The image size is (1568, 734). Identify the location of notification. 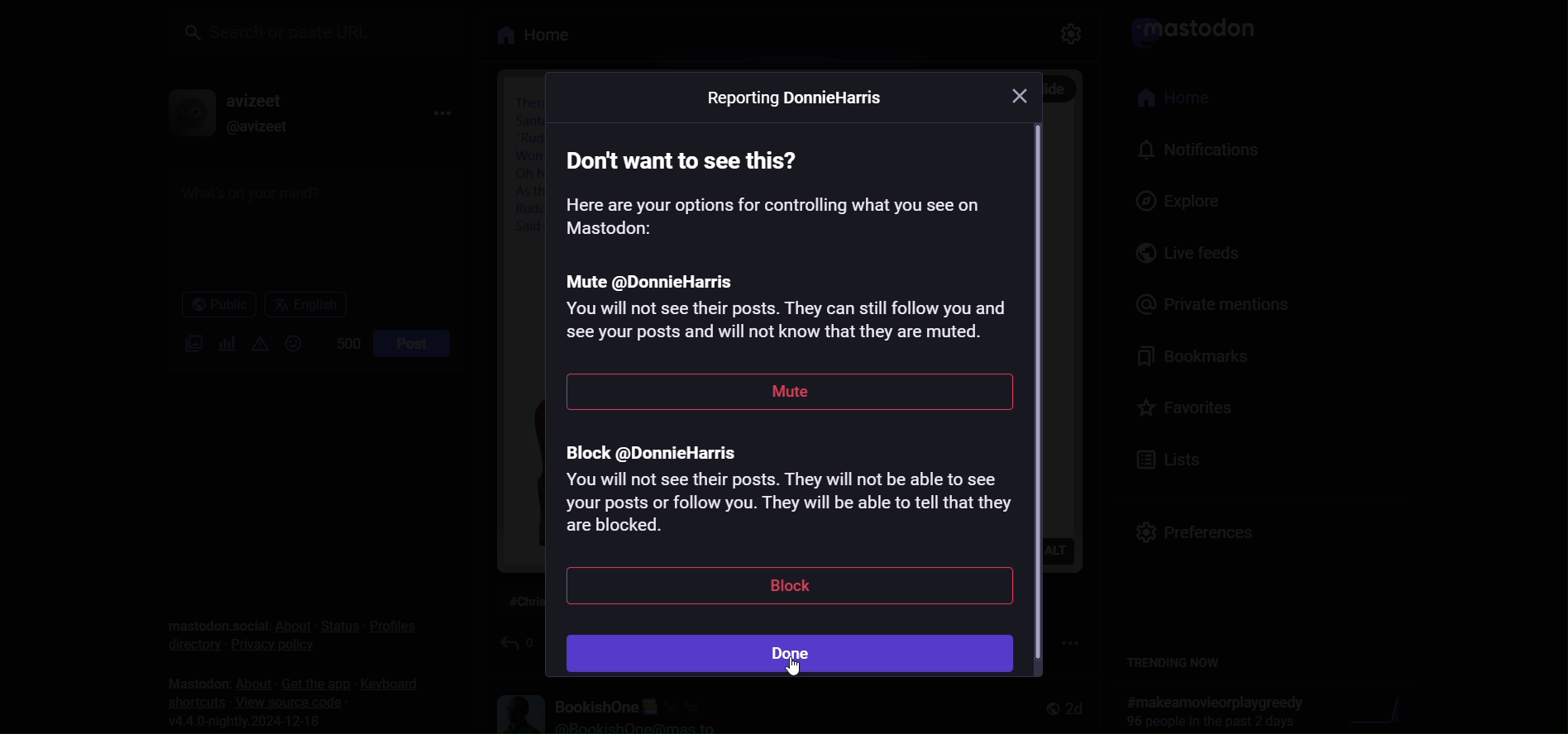
(1192, 150).